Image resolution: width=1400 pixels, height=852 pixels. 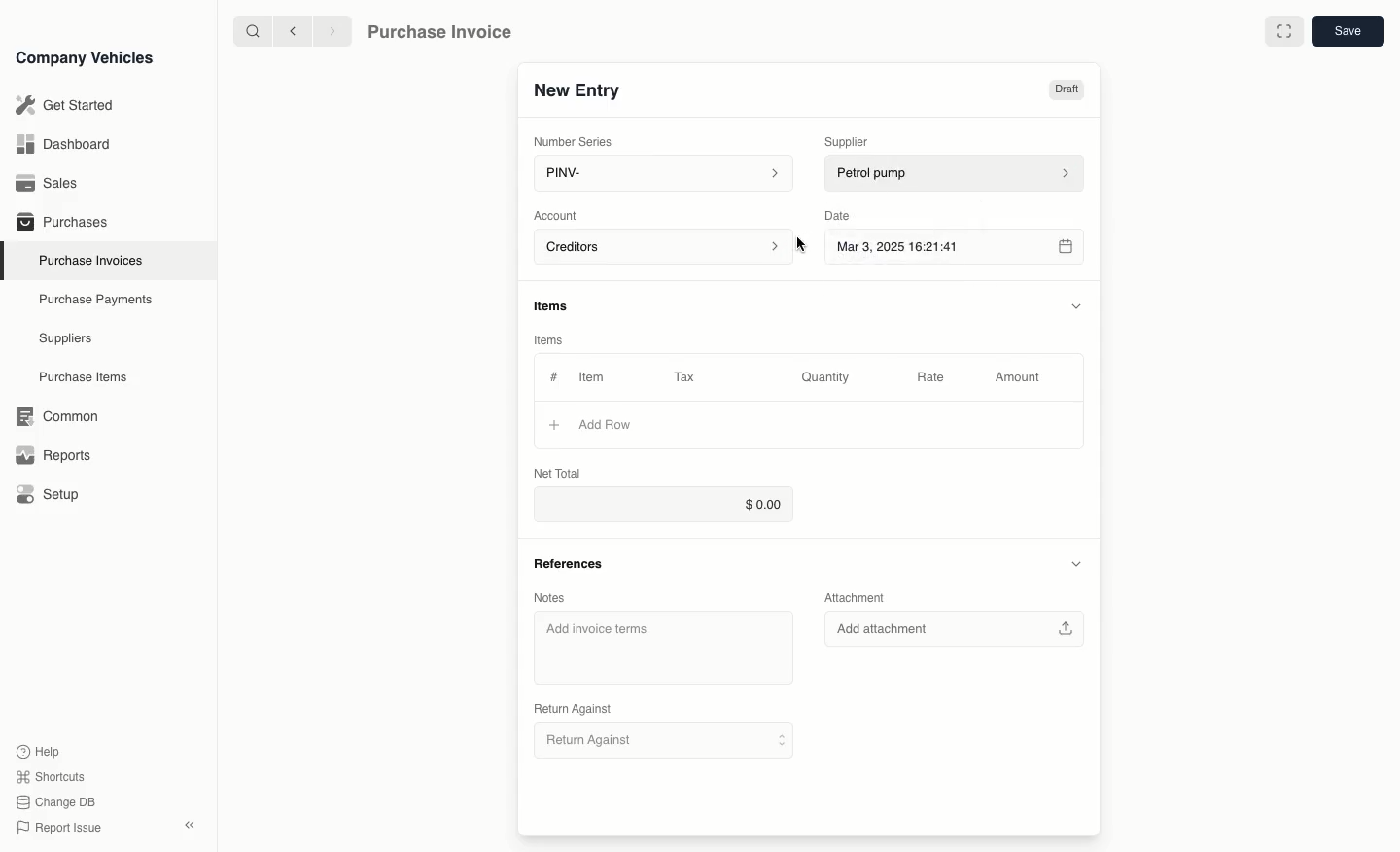 What do you see at coordinates (58, 802) in the screenshot?
I see `change DB` at bounding box center [58, 802].